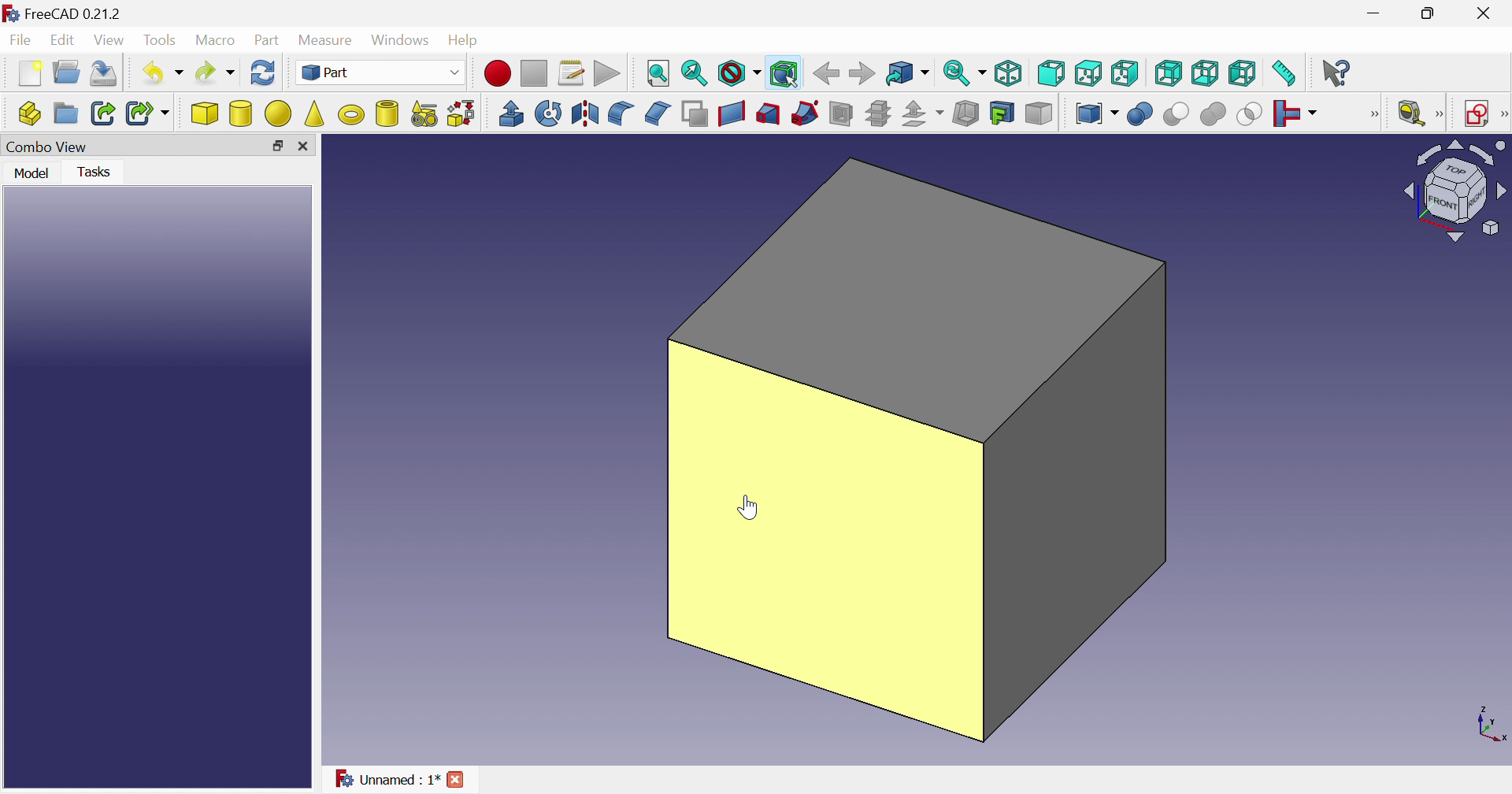  I want to click on Go to linked object, so click(907, 74).